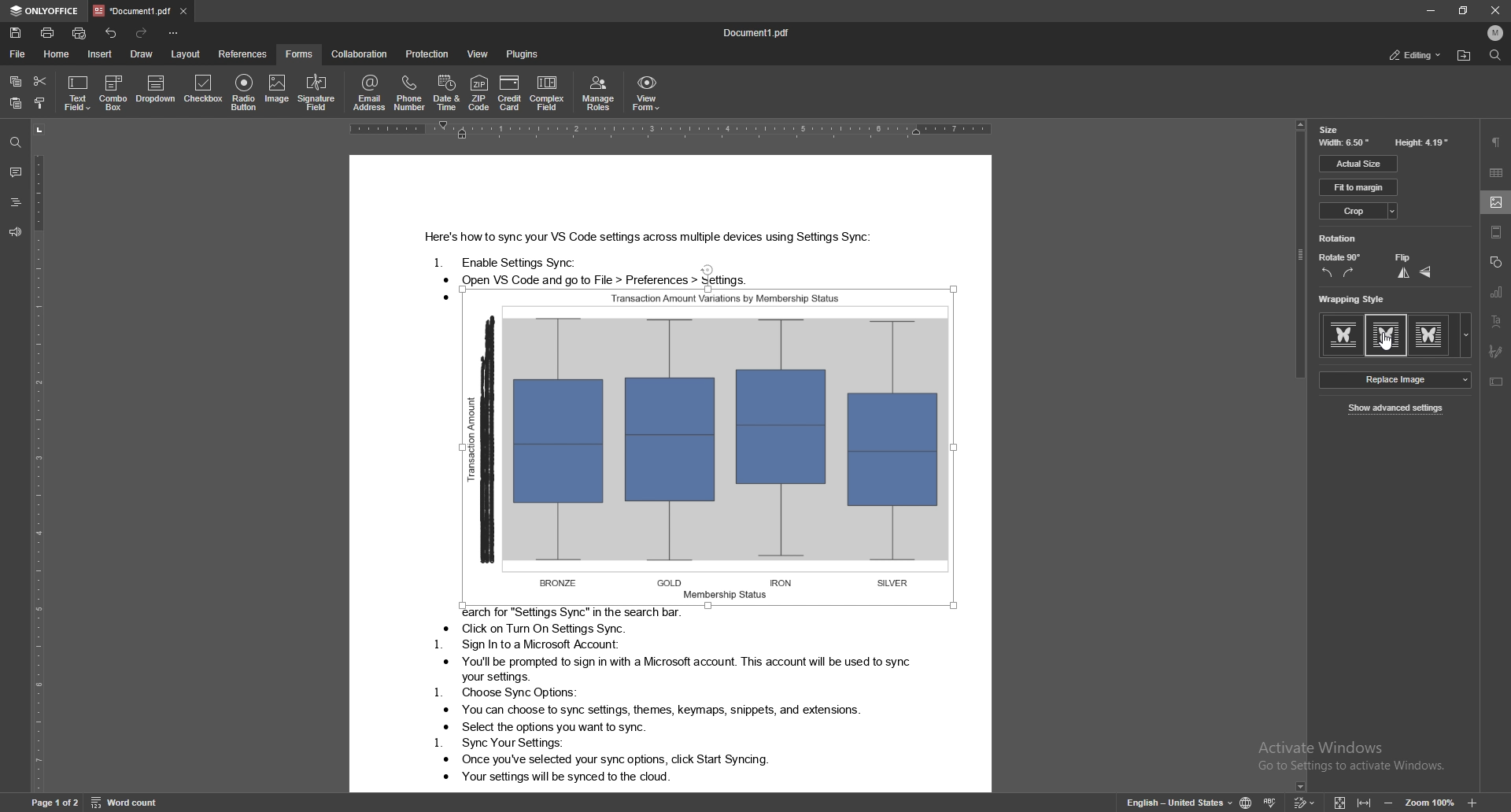 The image size is (1511, 812). What do you see at coordinates (1402, 272) in the screenshot?
I see `flip ` at bounding box center [1402, 272].